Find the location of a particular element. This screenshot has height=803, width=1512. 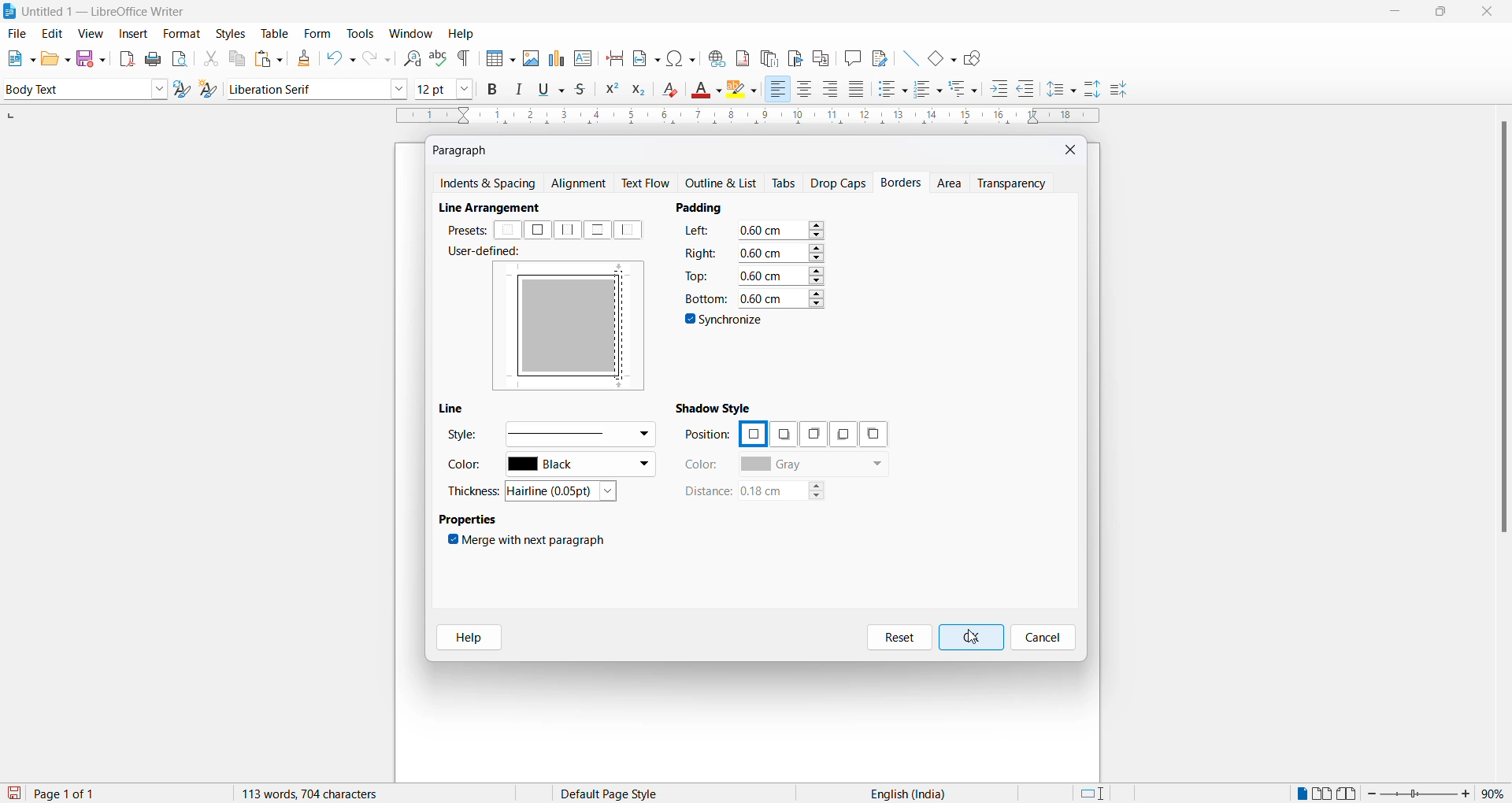

paragraph border is located at coordinates (624, 323).